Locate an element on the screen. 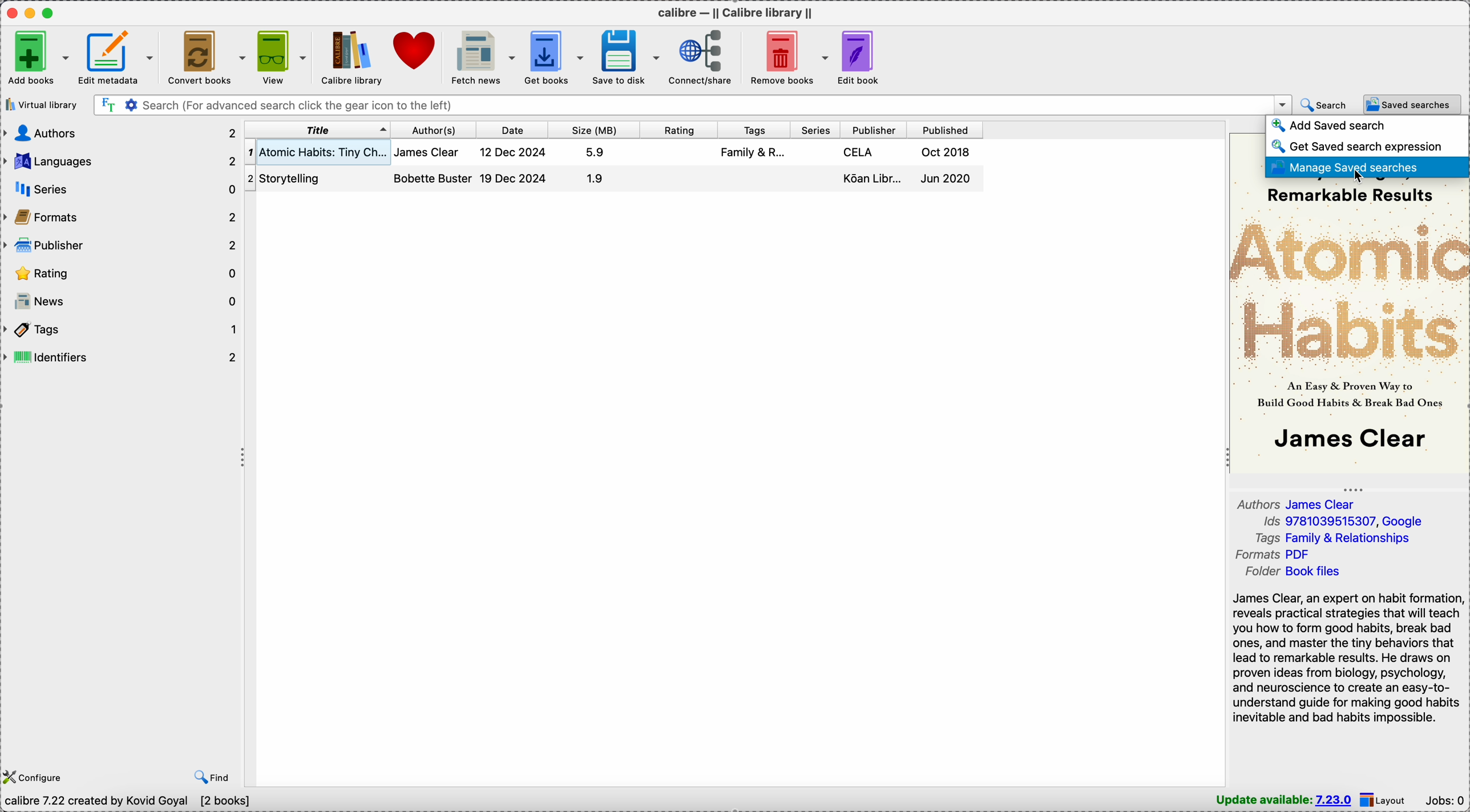  date is located at coordinates (508, 130).